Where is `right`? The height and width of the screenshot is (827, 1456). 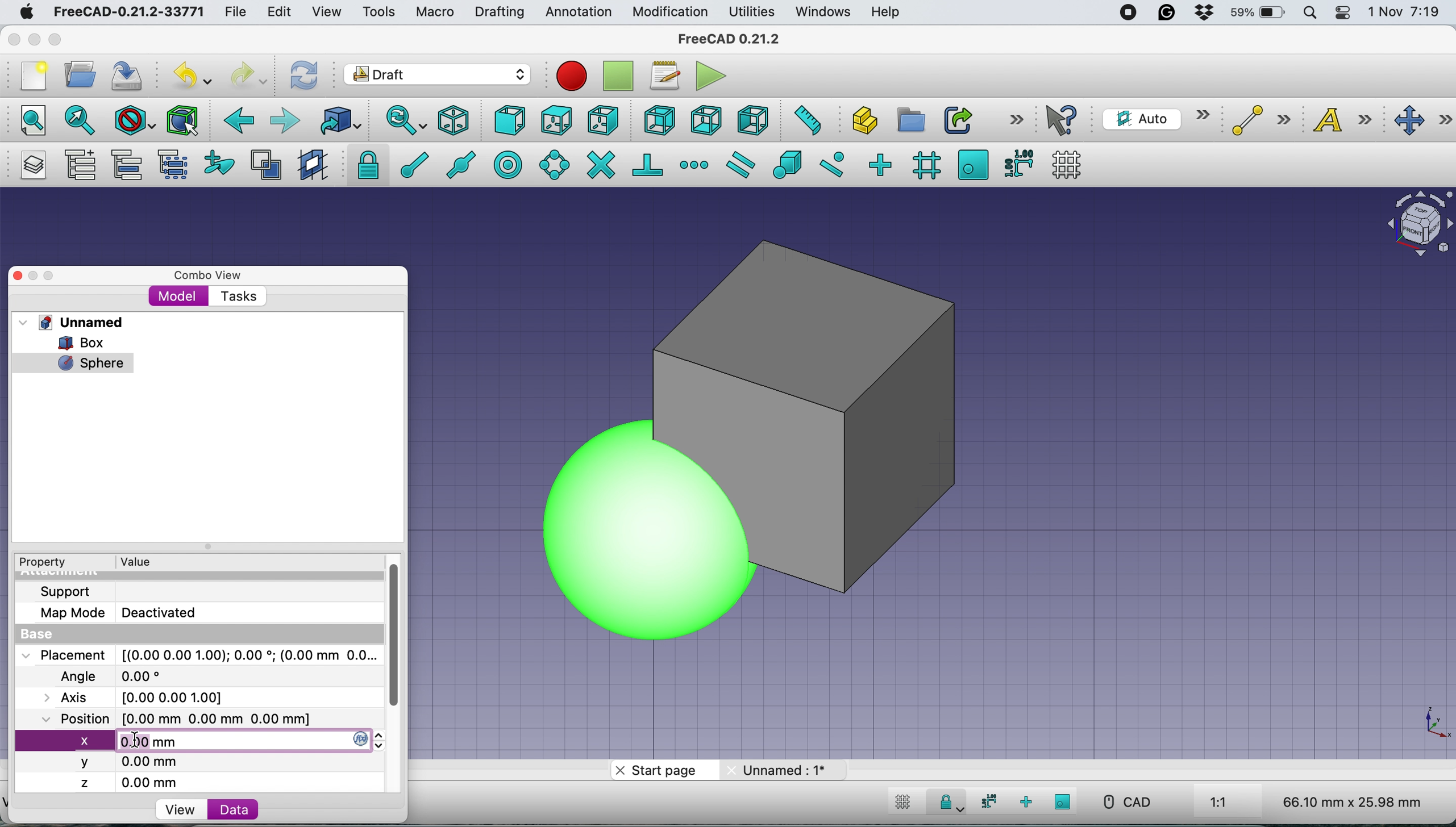
right is located at coordinates (604, 120).